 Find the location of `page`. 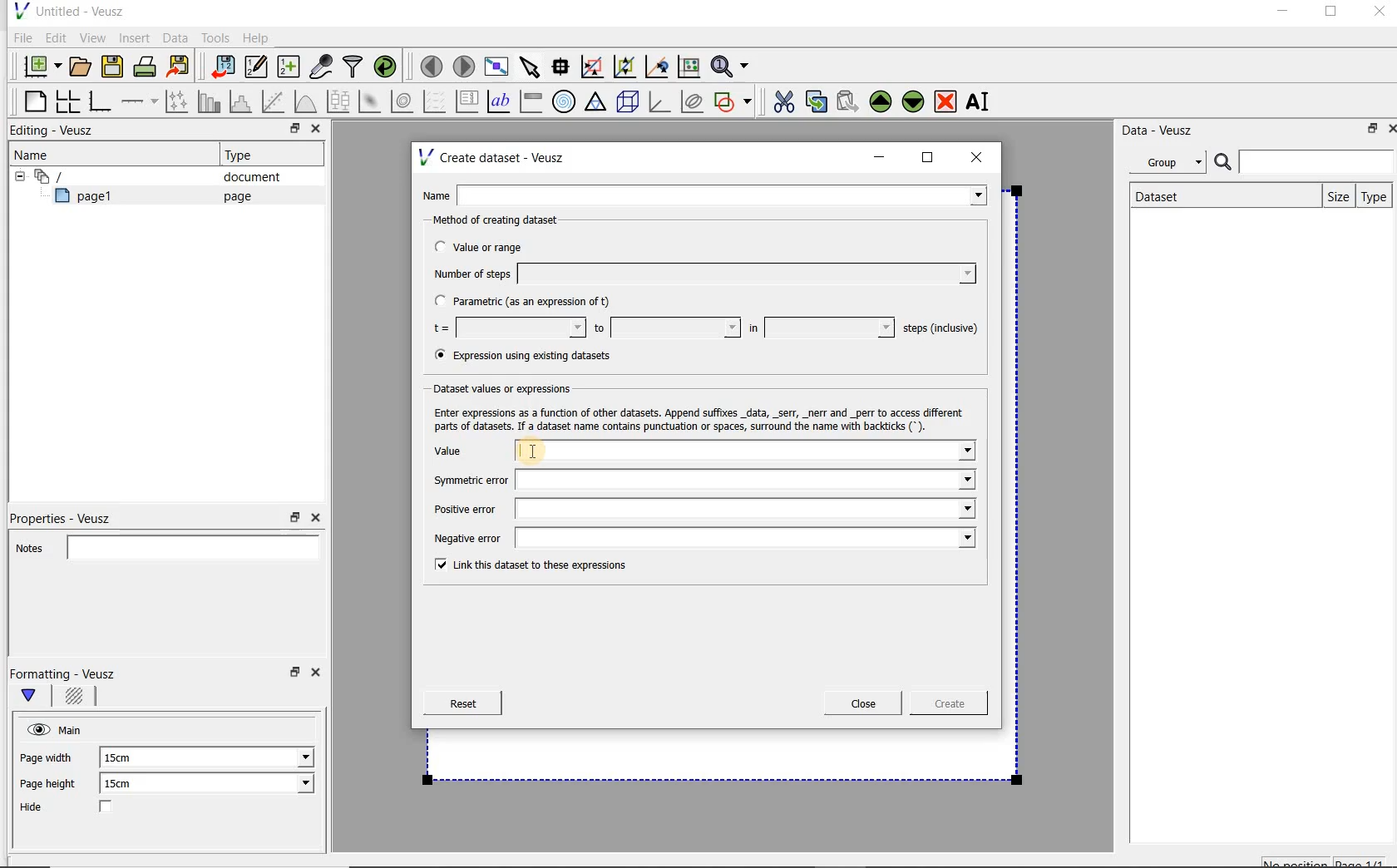

page is located at coordinates (234, 196).